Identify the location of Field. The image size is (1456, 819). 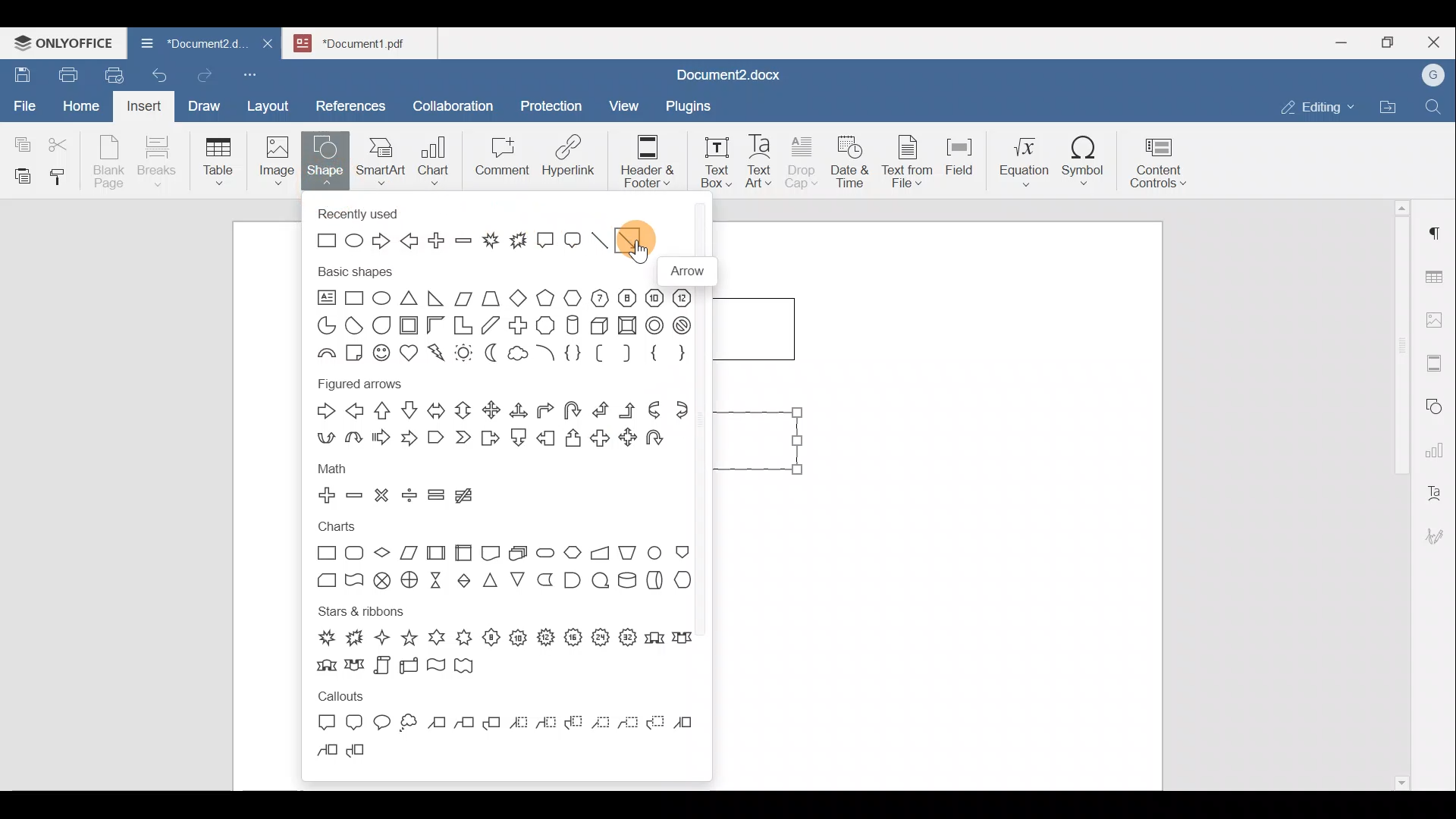
(959, 154).